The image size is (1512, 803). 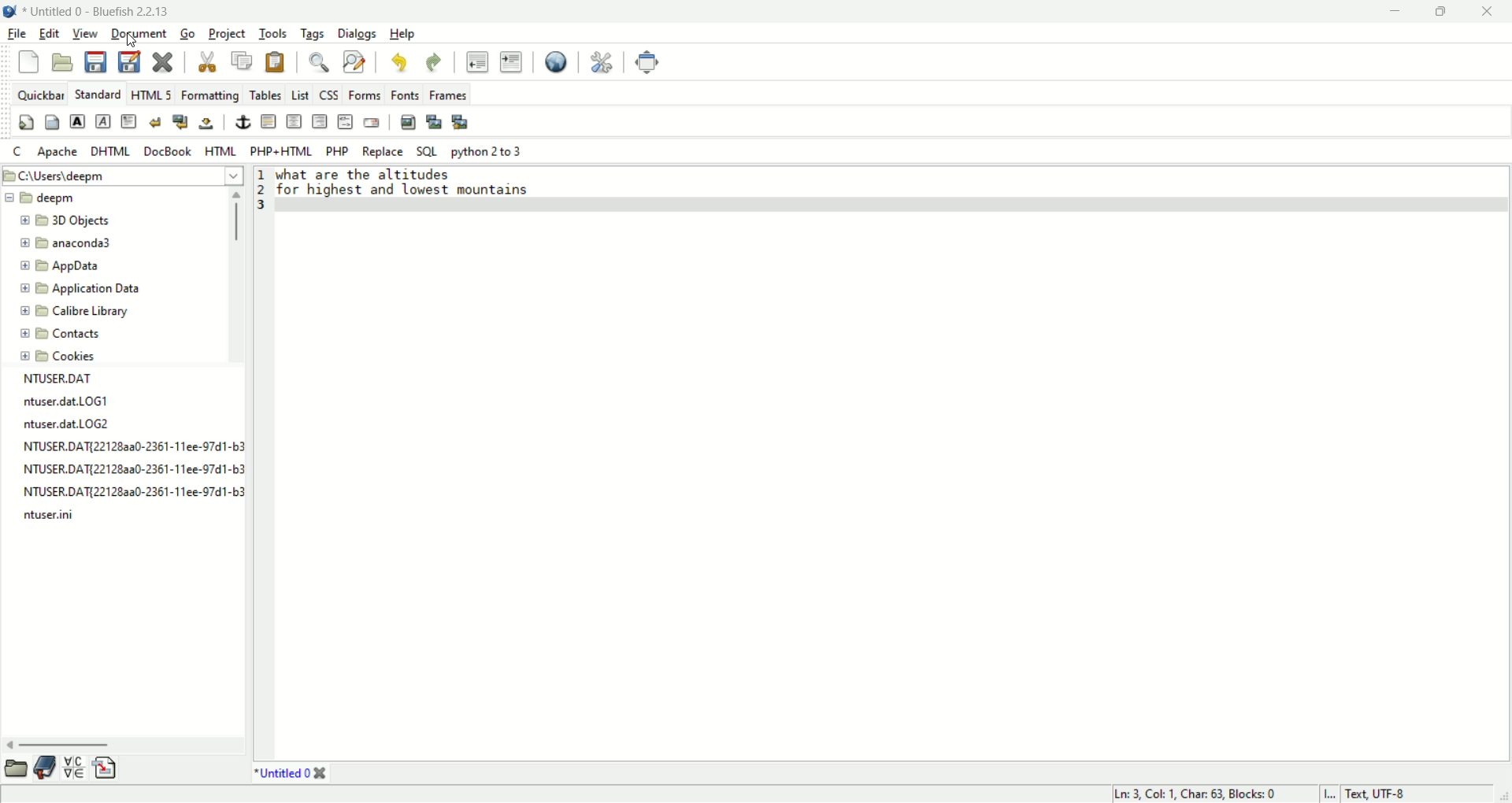 I want to click on edit, so click(x=46, y=33).